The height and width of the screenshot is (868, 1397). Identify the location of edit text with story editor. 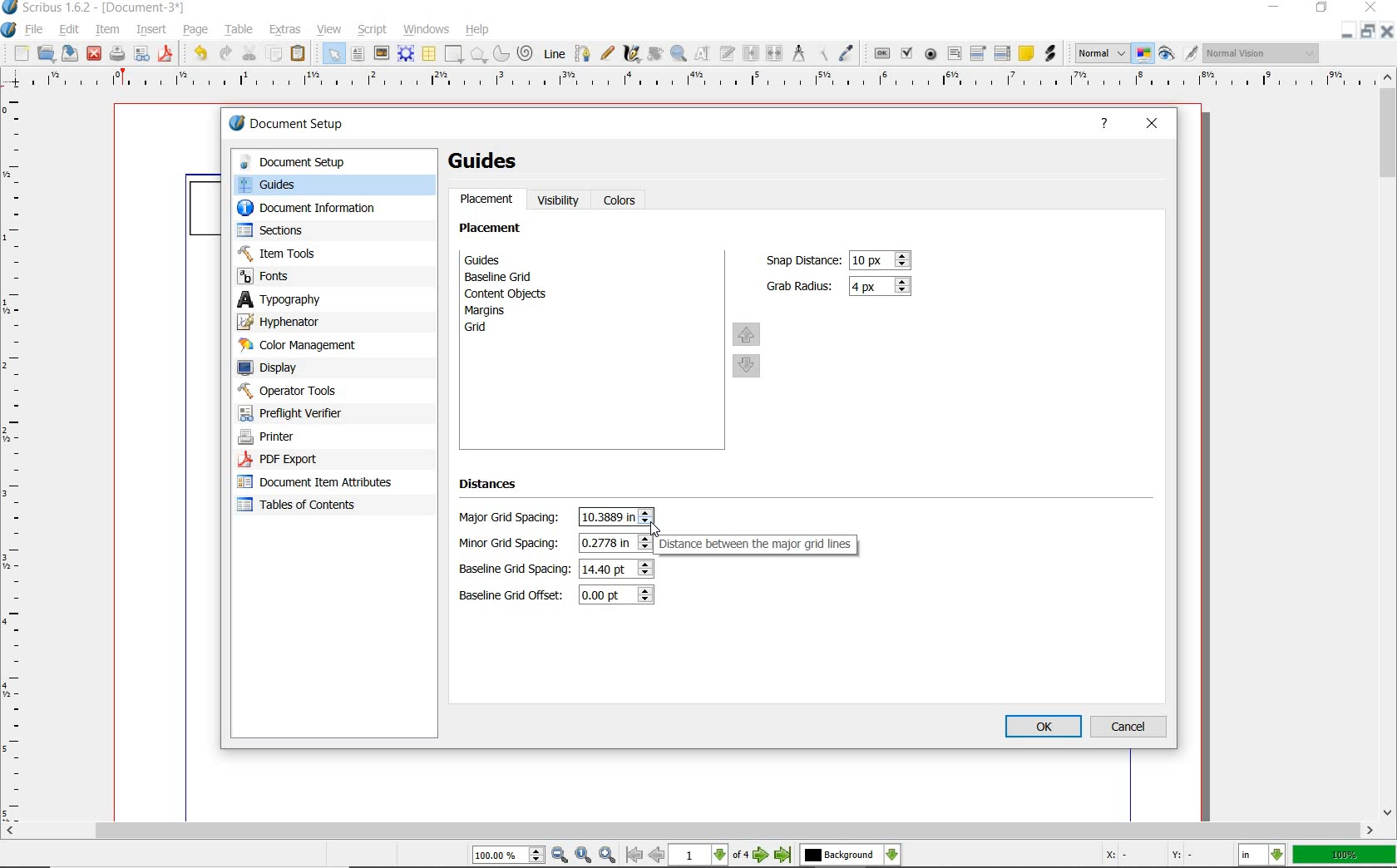
(726, 52).